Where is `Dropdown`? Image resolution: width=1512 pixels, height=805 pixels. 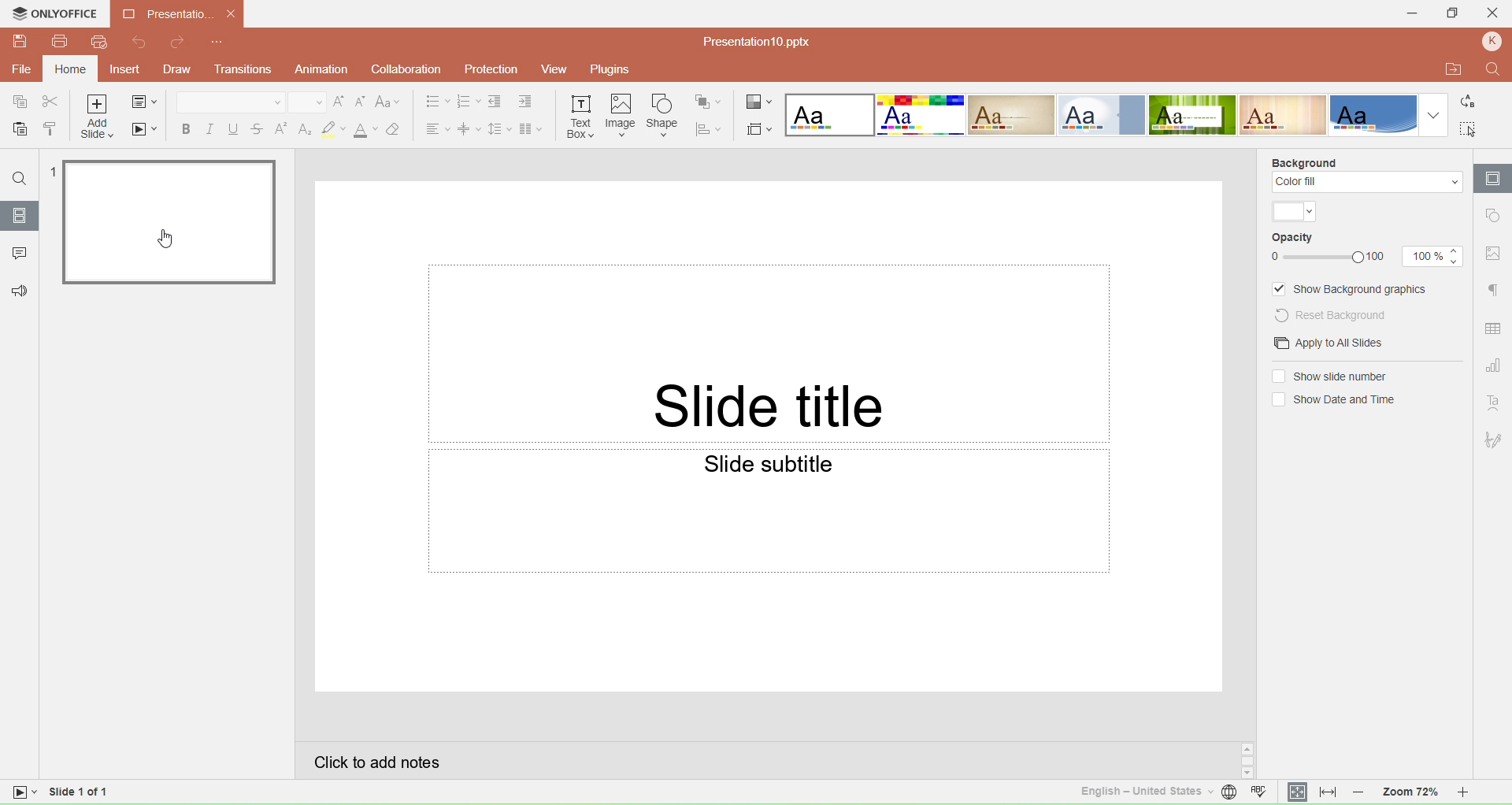
Dropdown is located at coordinates (1434, 116).